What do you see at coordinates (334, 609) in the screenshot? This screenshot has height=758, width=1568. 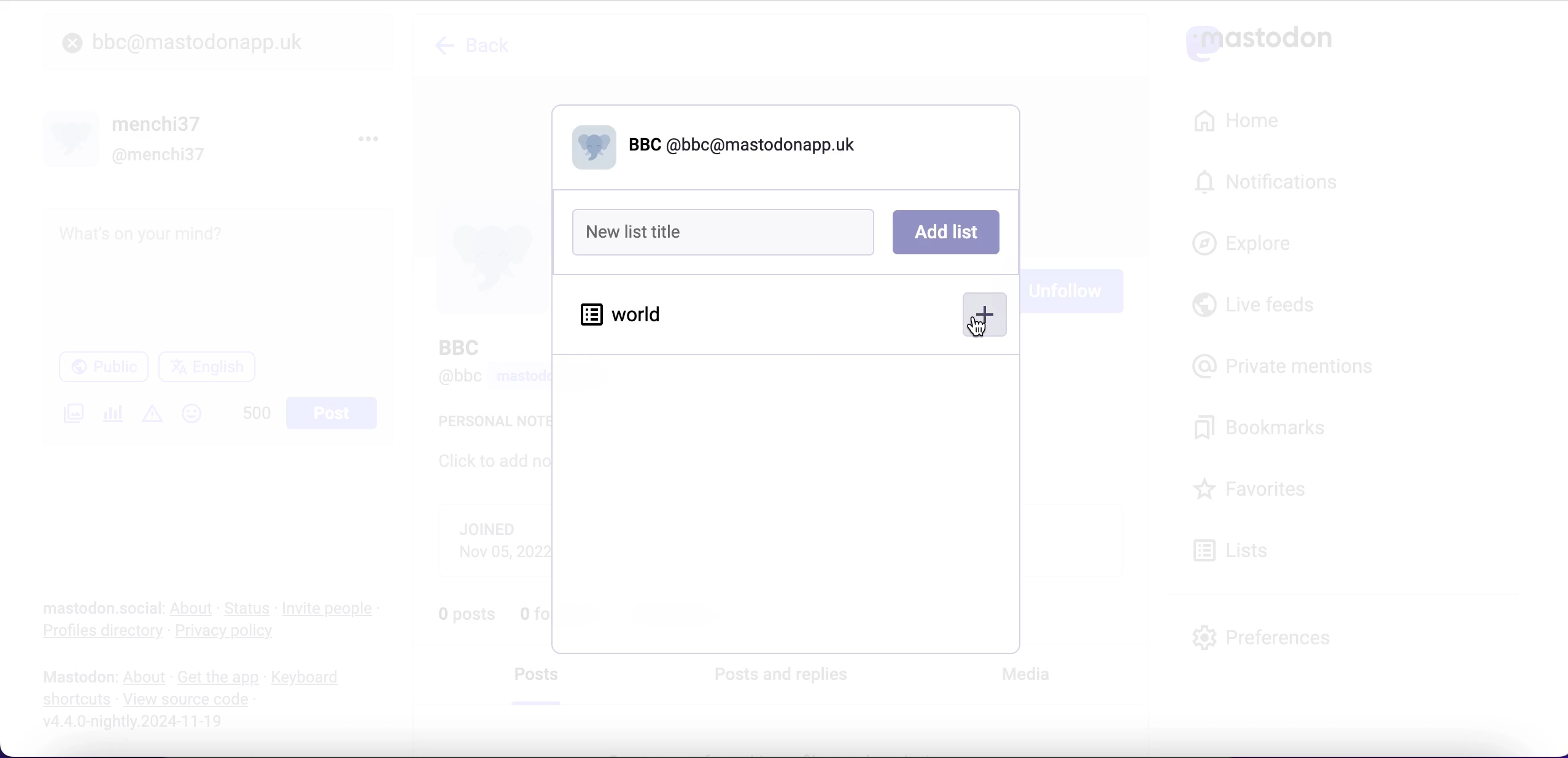 I see `invite people` at bounding box center [334, 609].